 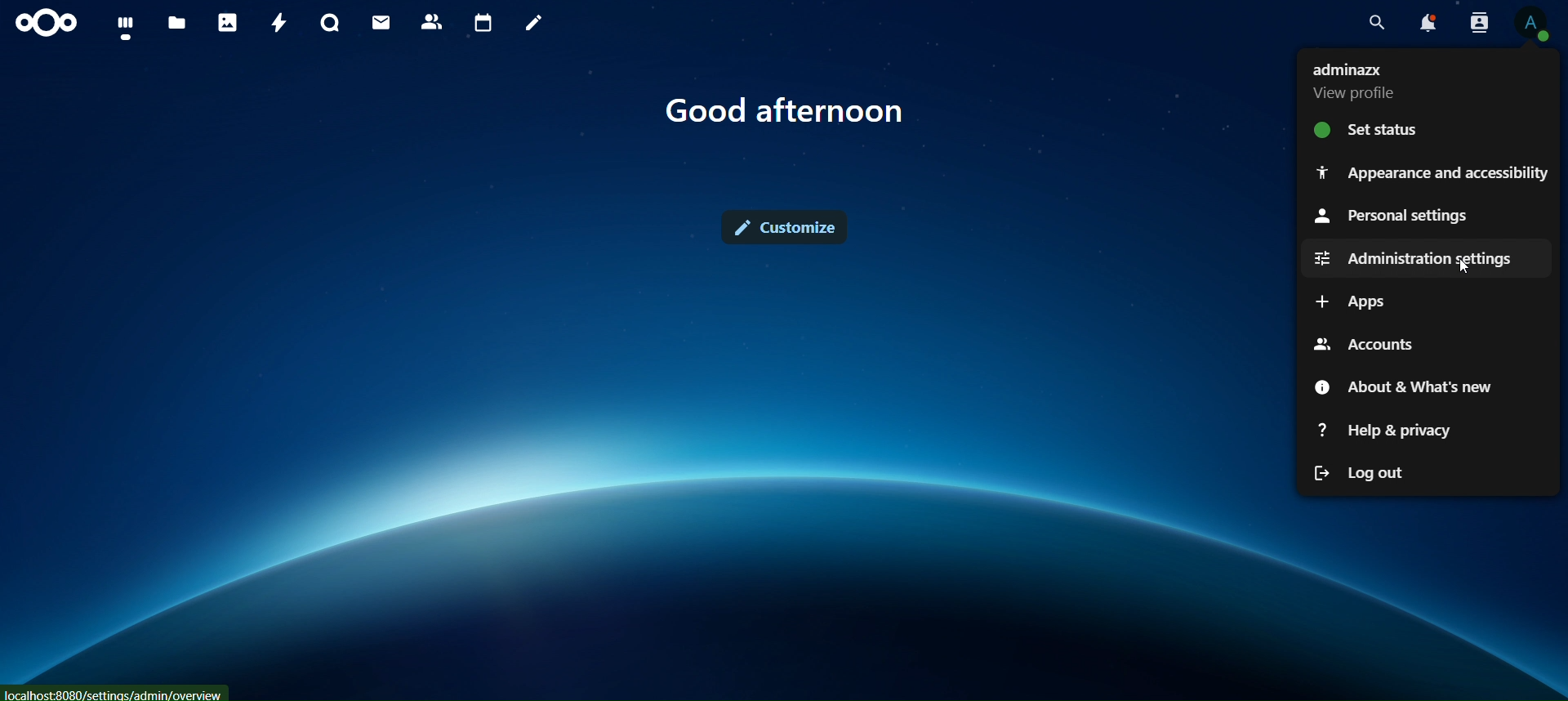 What do you see at coordinates (784, 225) in the screenshot?
I see `customize` at bounding box center [784, 225].